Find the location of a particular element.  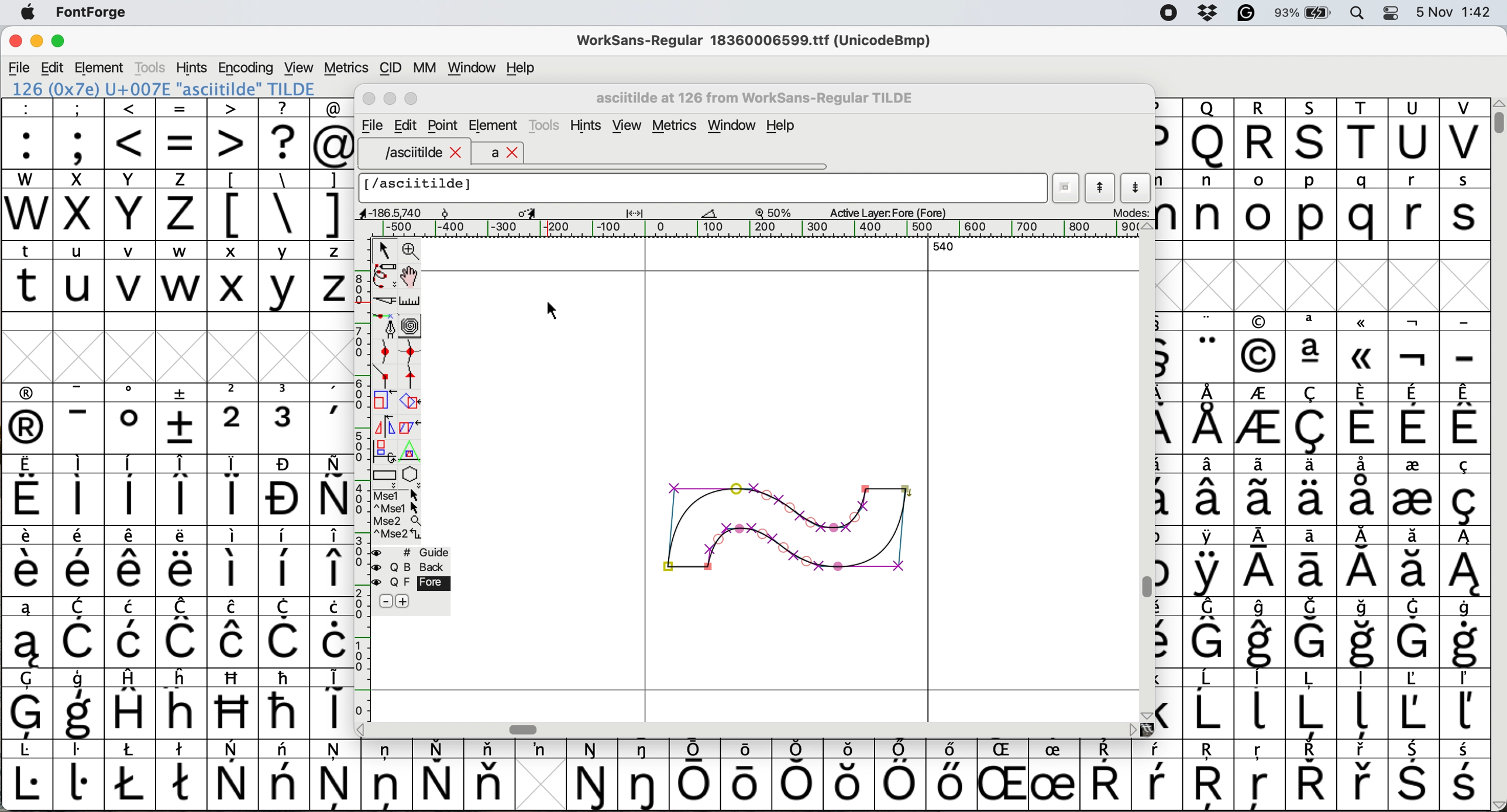

dropbox is located at coordinates (1204, 13).